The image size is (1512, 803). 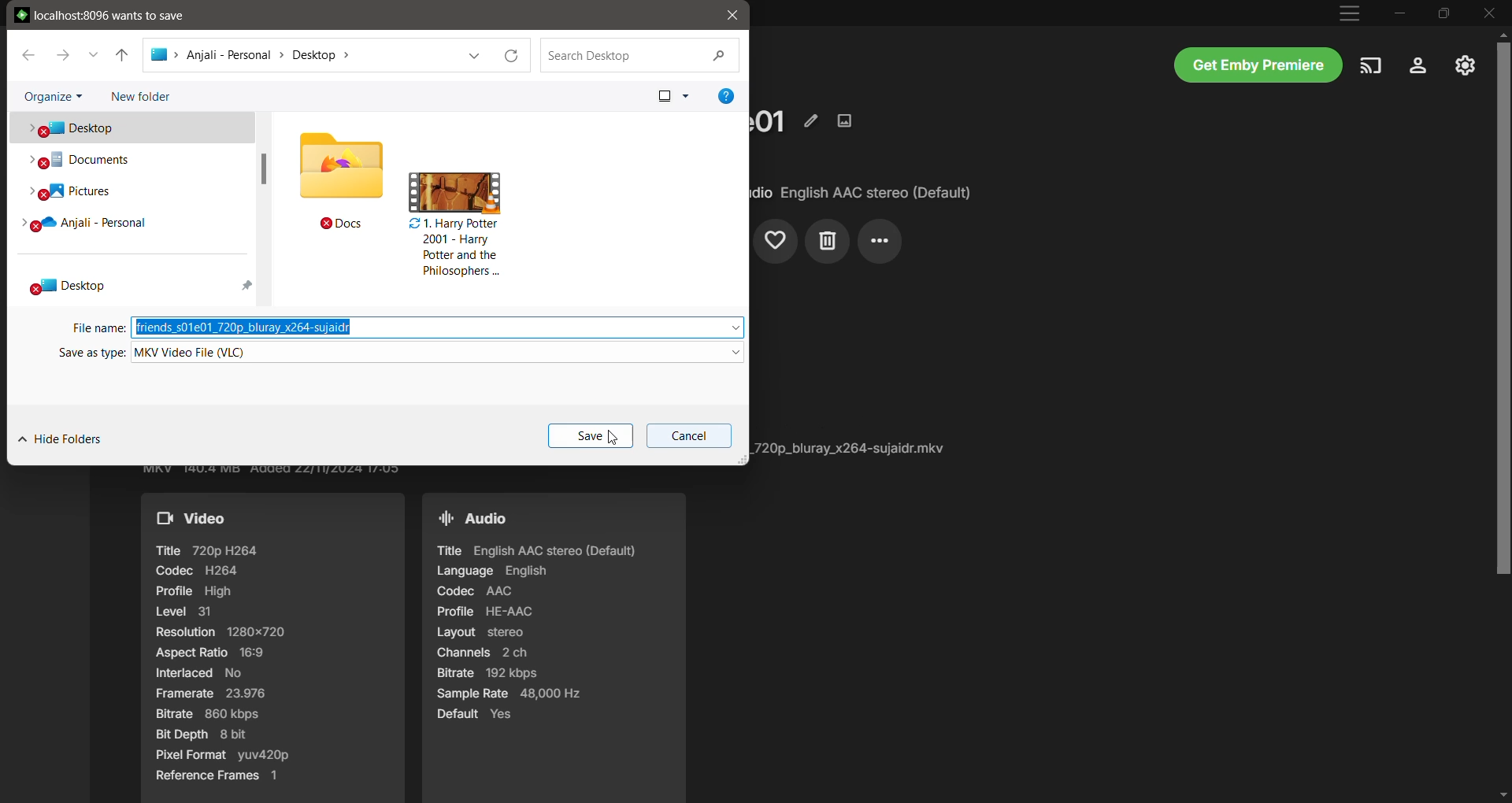 I want to click on Set the File Name, so click(x=439, y=327).